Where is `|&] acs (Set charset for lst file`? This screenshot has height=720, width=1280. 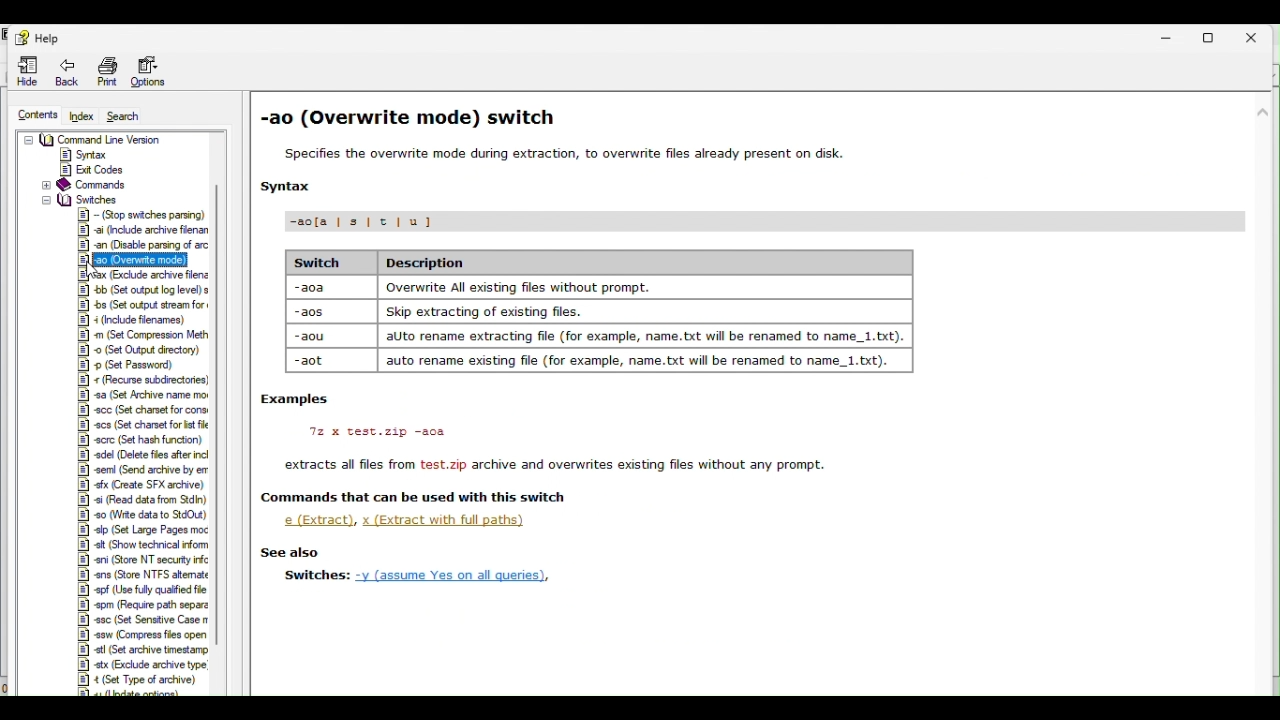
|&] acs (Set charset for lst file is located at coordinates (138, 425).